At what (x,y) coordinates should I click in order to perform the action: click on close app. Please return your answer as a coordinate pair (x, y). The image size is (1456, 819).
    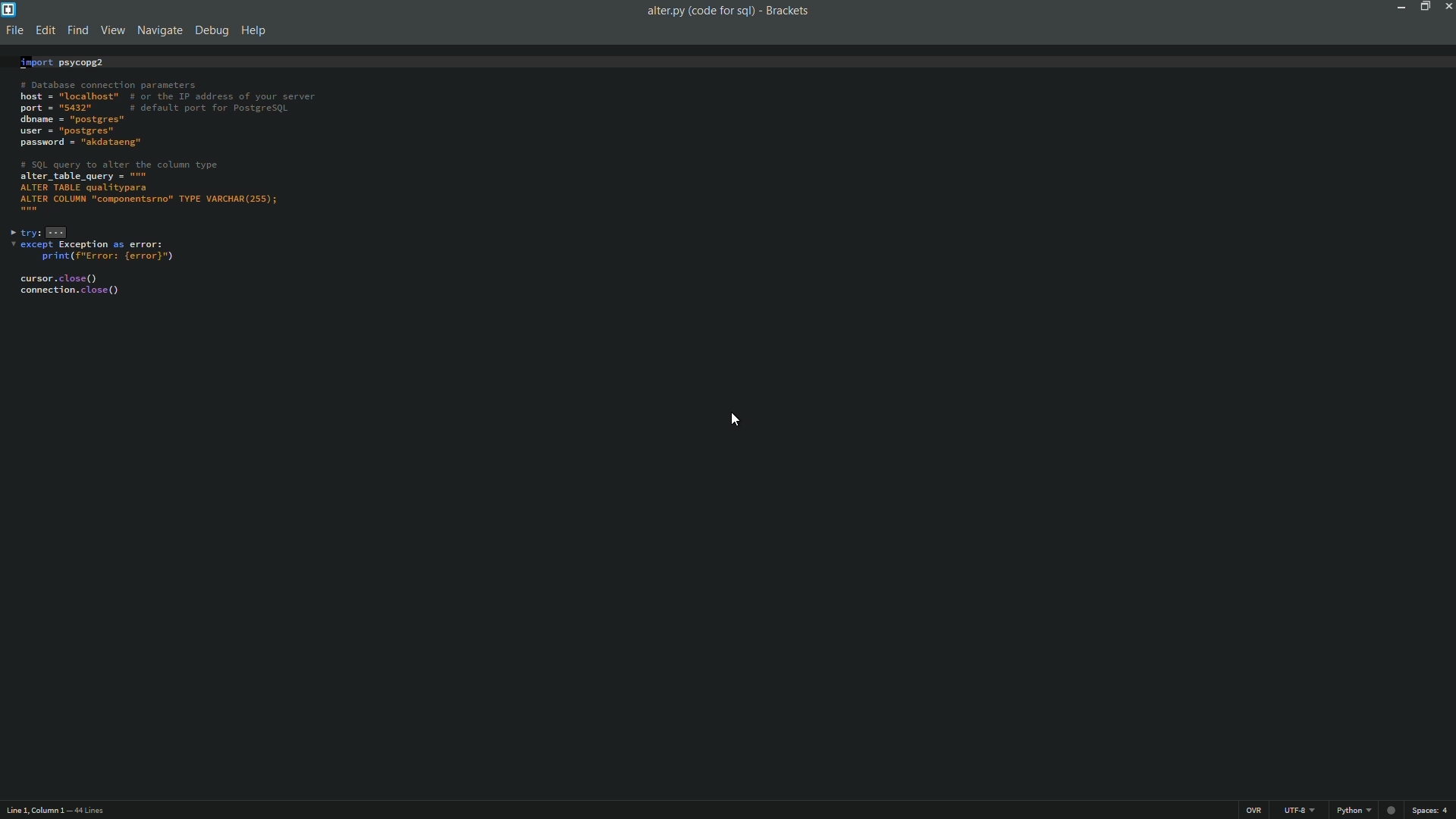
    Looking at the image, I should click on (1447, 8).